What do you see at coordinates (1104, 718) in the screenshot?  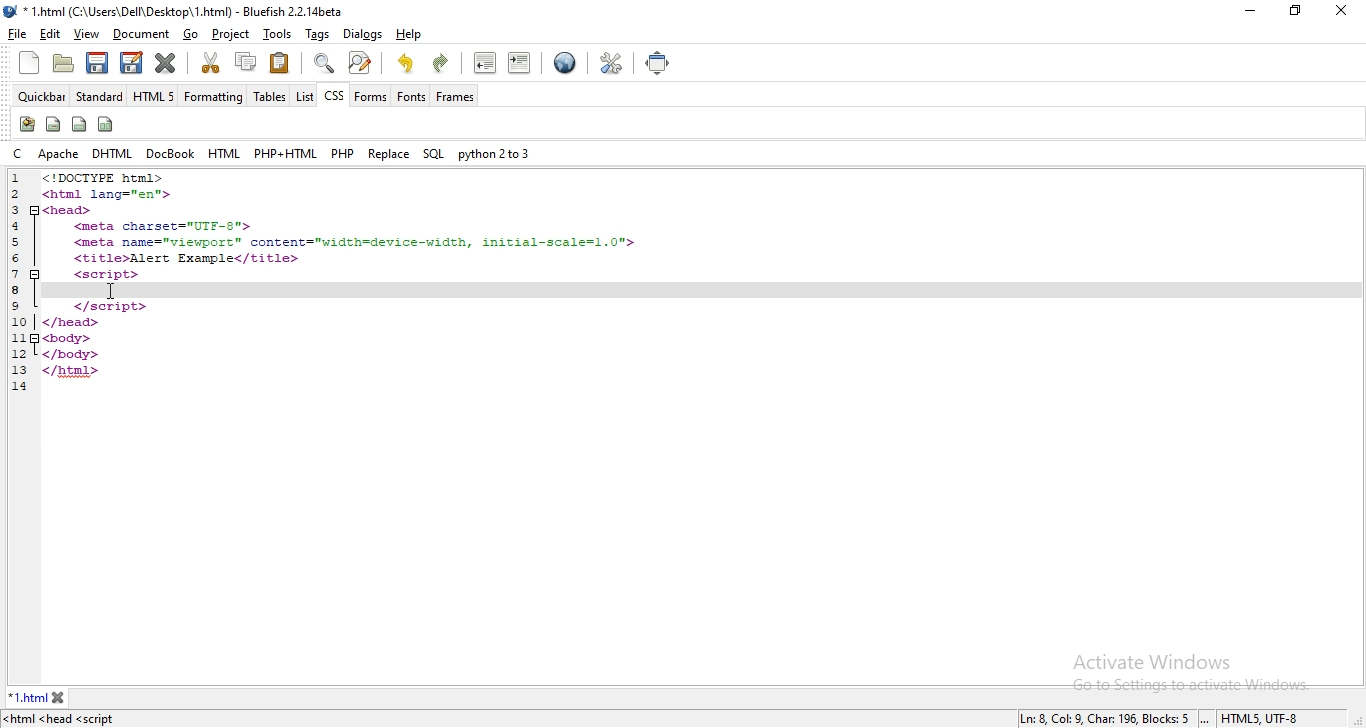 I see `Ln: 8 Col: 9, Char: 196, Blocks: 5` at bounding box center [1104, 718].